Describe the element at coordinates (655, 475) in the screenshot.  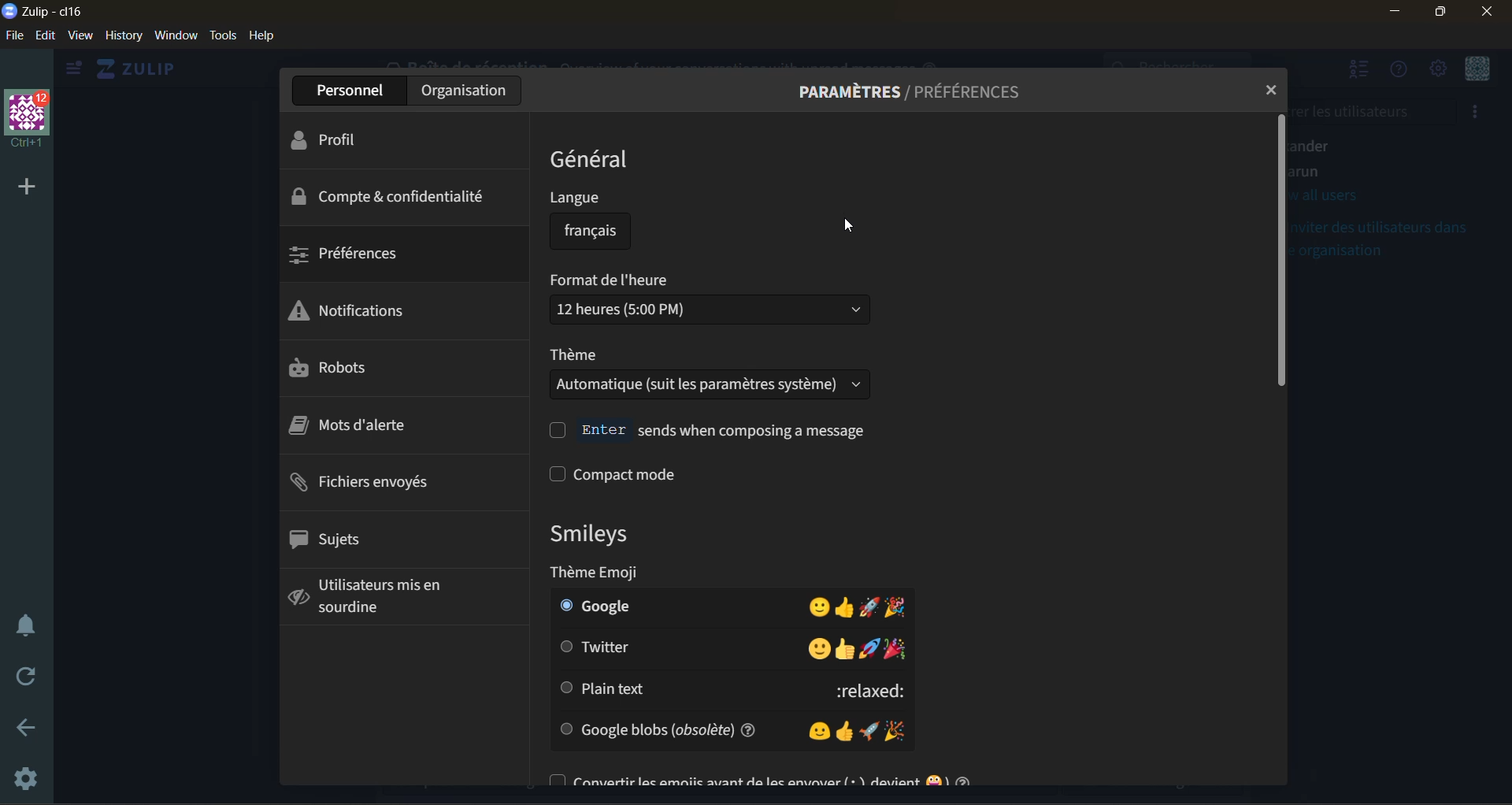
I see `compact mode` at that location.